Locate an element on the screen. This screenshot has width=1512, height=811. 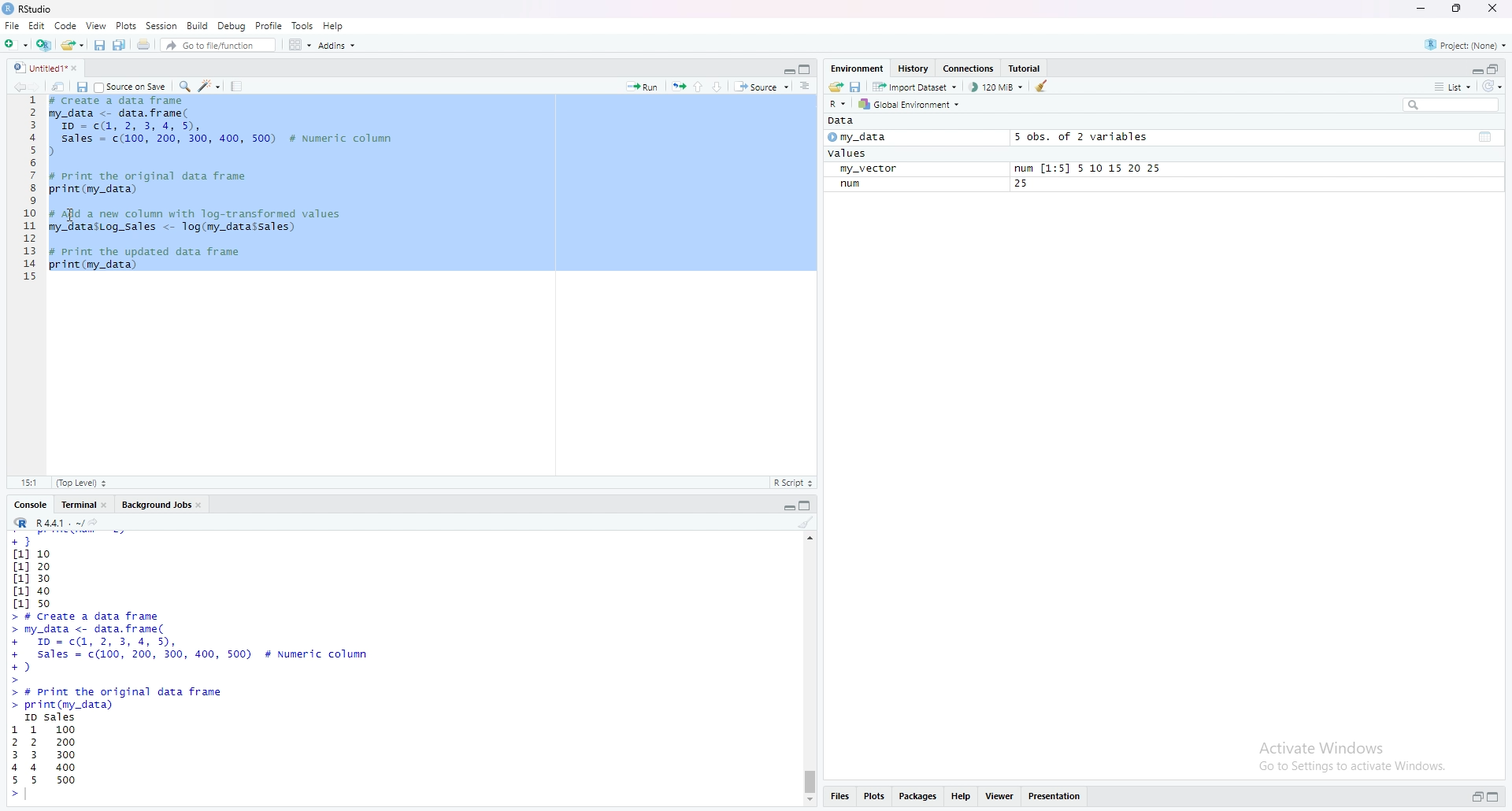
close is located at coordinates (206, 507).